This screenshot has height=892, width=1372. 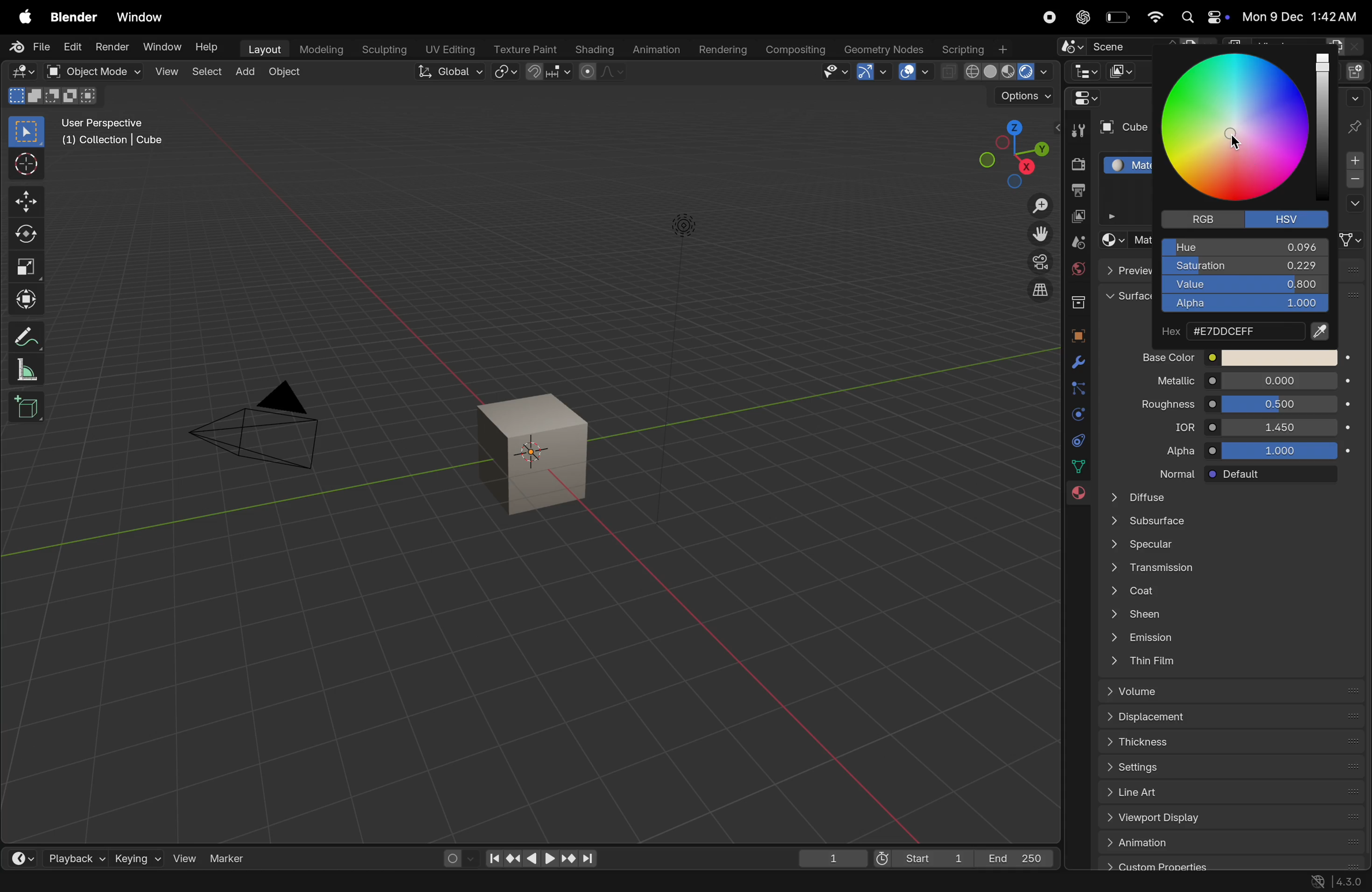 What do you see at coordinates (1041, 234) in the screenshot?
I see `move view` at bounding box center [1041, 234].